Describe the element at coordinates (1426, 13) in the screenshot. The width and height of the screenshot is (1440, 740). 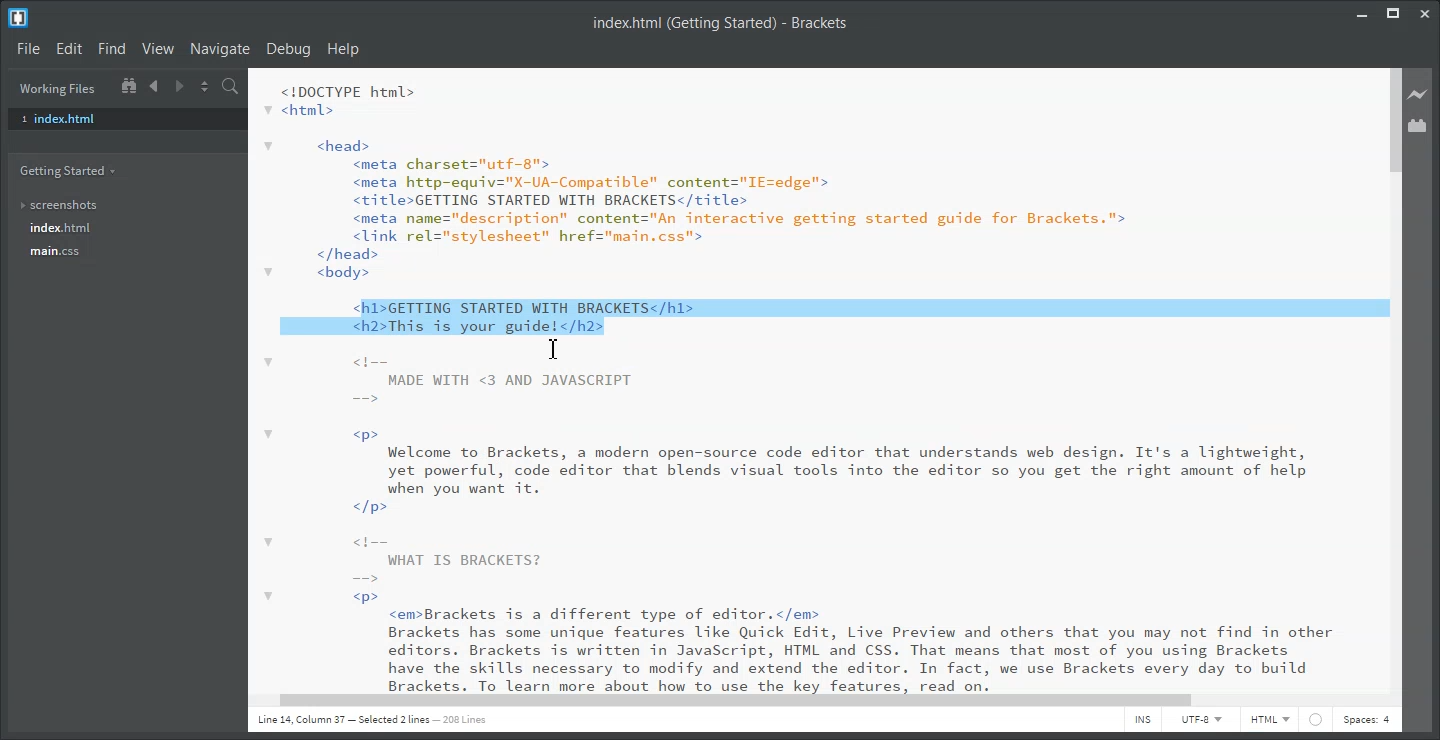
I see `Close` at that location.